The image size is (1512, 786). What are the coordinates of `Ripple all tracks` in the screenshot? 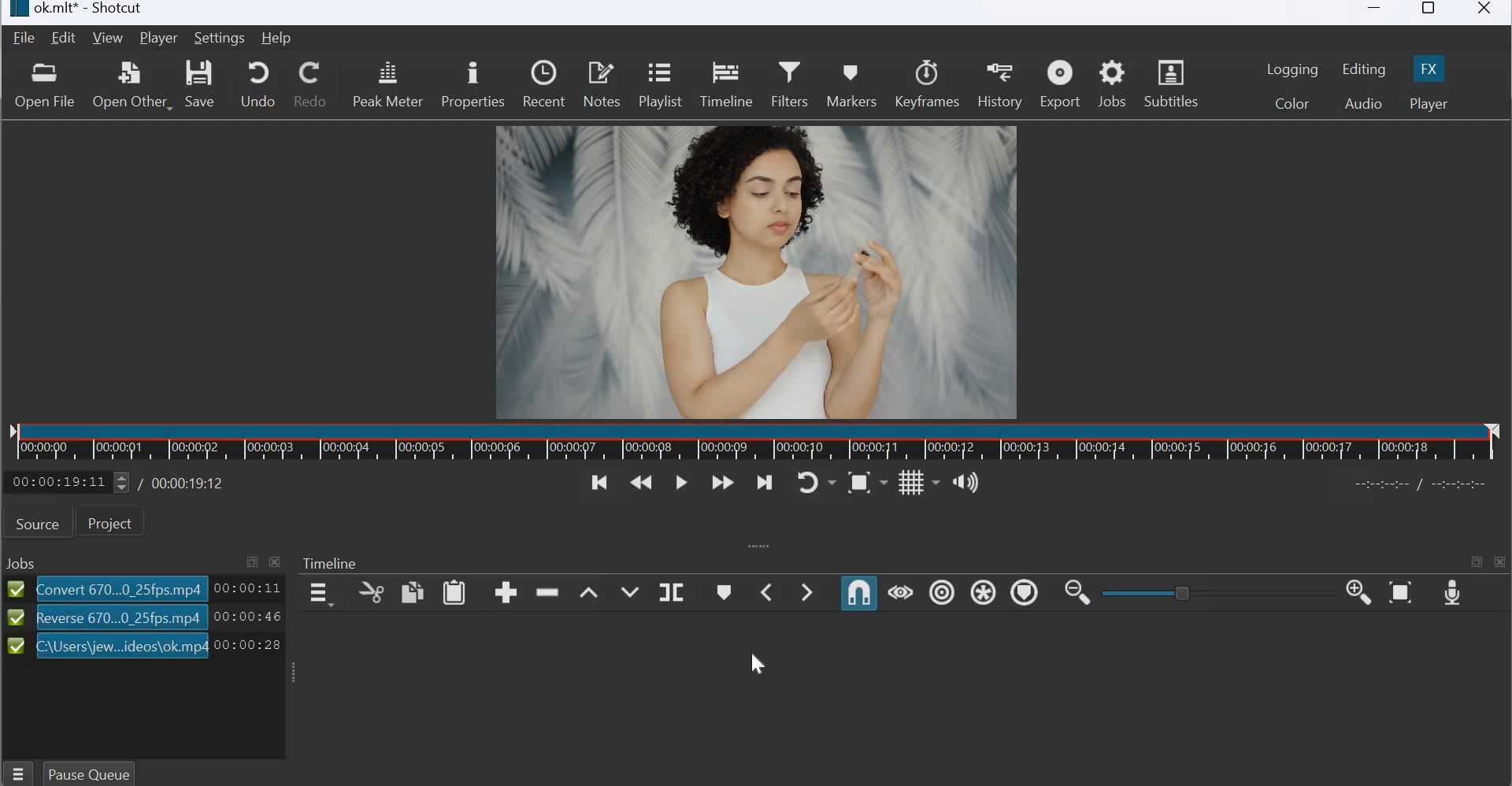 It's located at (981, 592).